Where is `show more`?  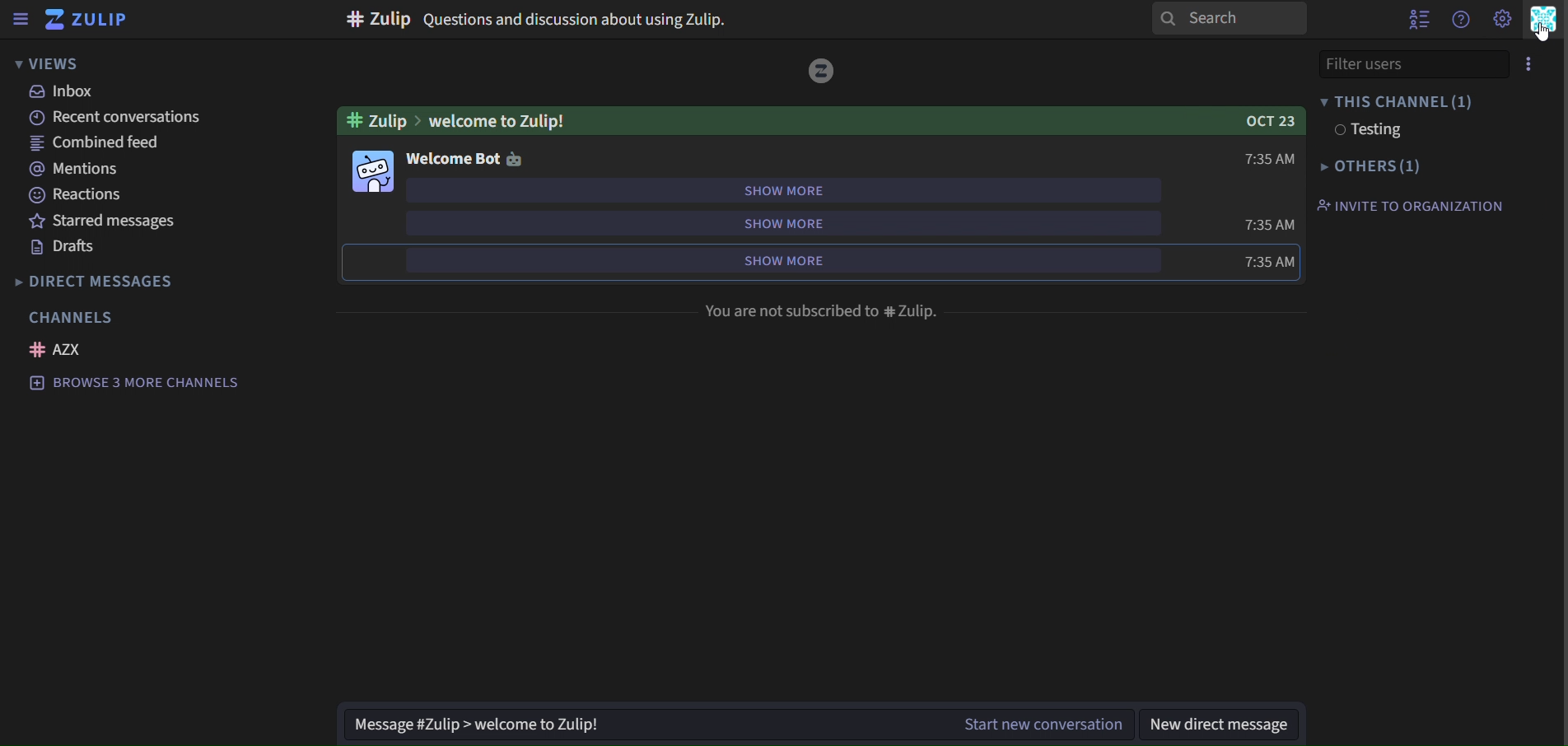
show more is located at coordinates (765, 262).